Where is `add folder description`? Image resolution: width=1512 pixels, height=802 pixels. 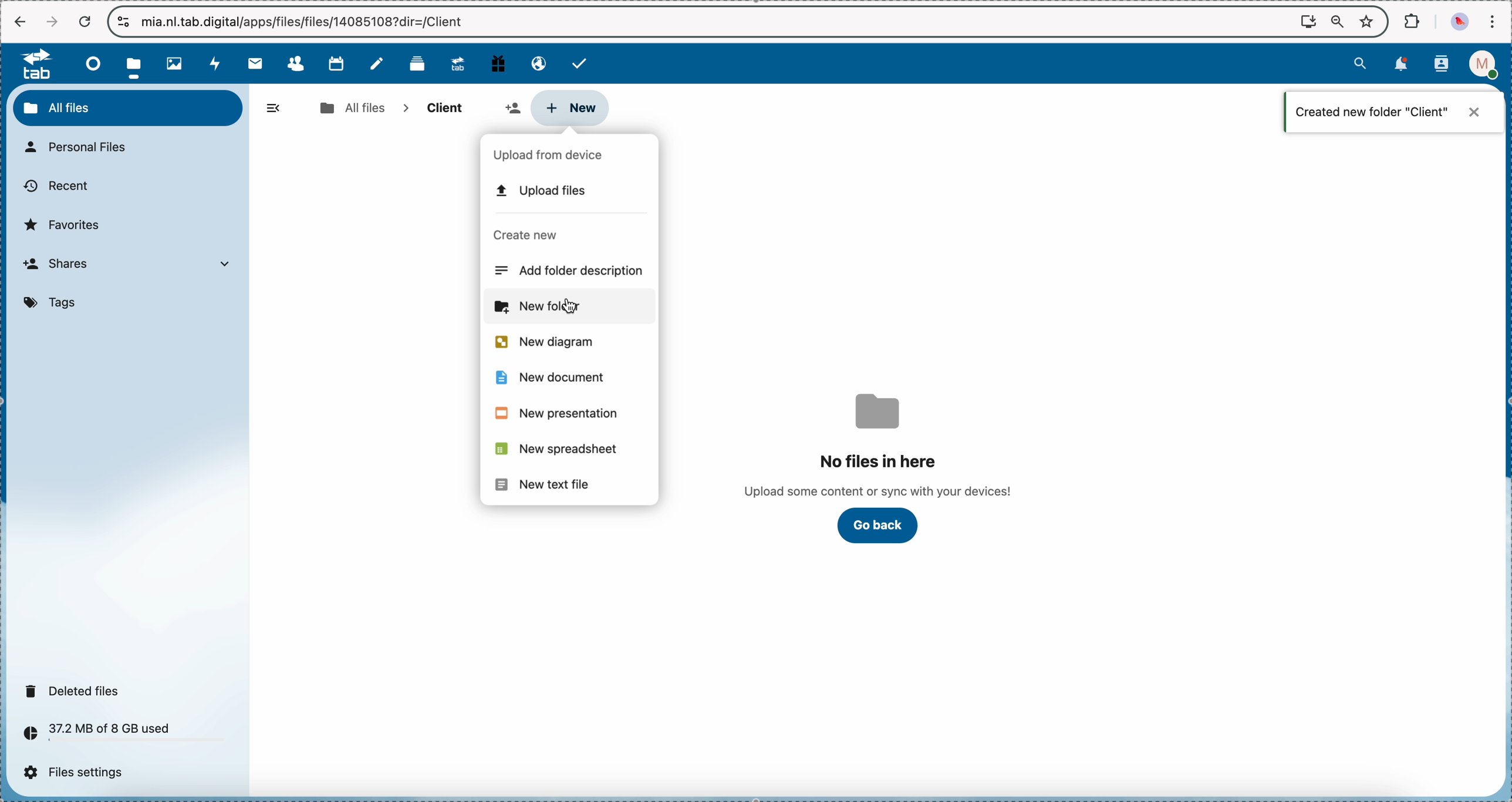
add folder description is located at coordinates (572, 271).